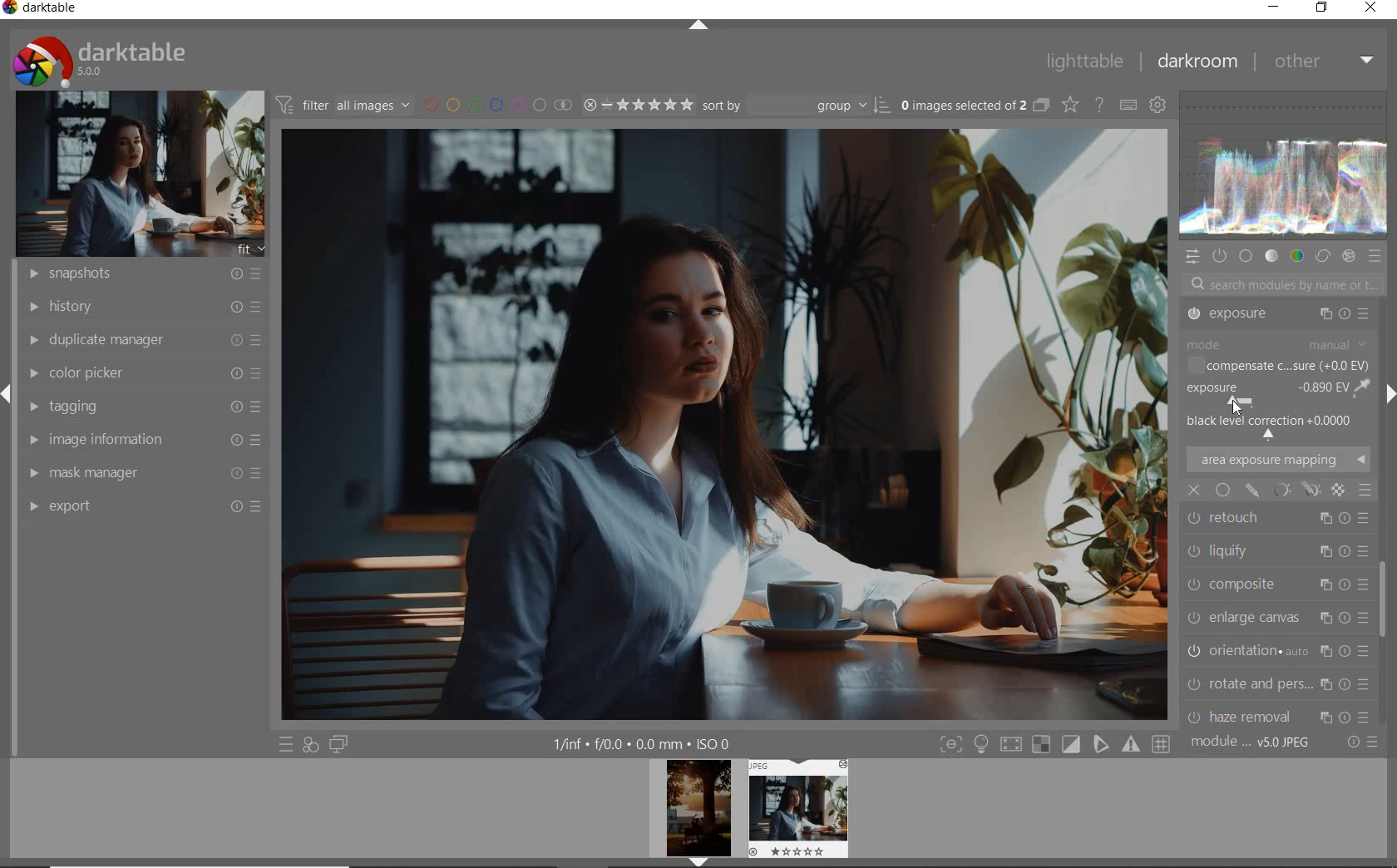 The width and height of the screenshot is (1397, 868). I want to click on Corrected overexposure in bright areas., so click(728, 428).